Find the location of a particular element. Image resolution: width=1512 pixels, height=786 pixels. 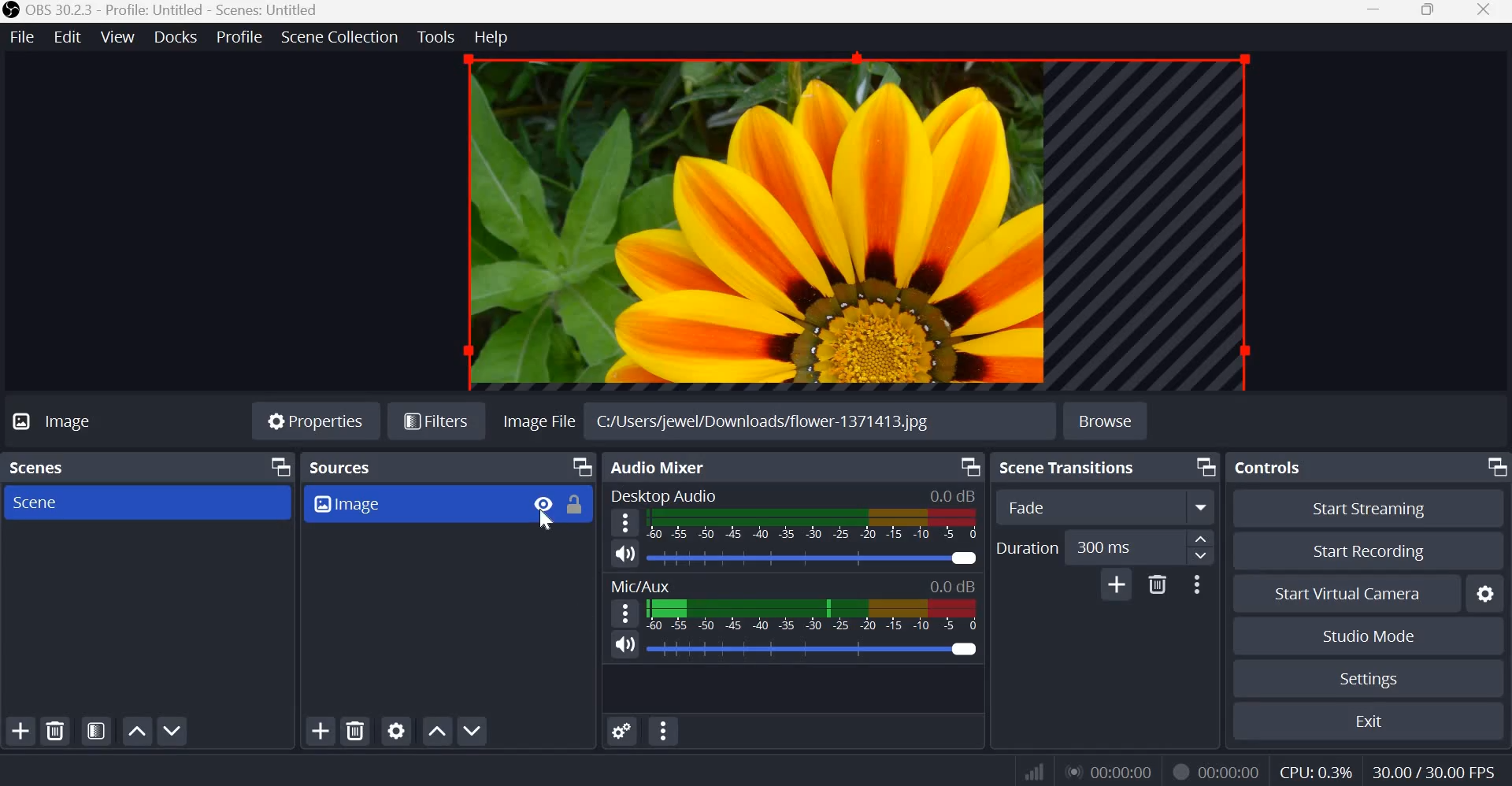

Properties is located at coordinates (316, 421).